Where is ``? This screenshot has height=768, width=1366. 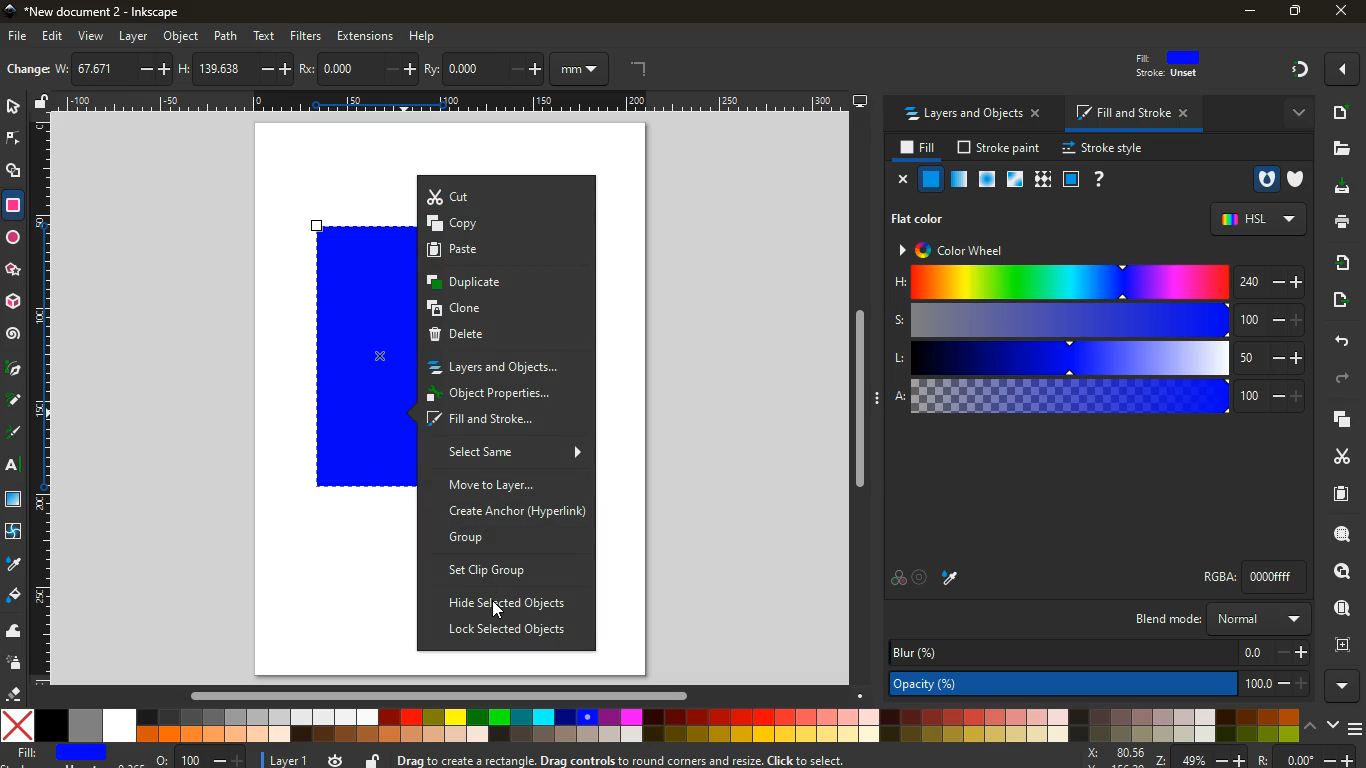
 is located at coordinates (13, 269).